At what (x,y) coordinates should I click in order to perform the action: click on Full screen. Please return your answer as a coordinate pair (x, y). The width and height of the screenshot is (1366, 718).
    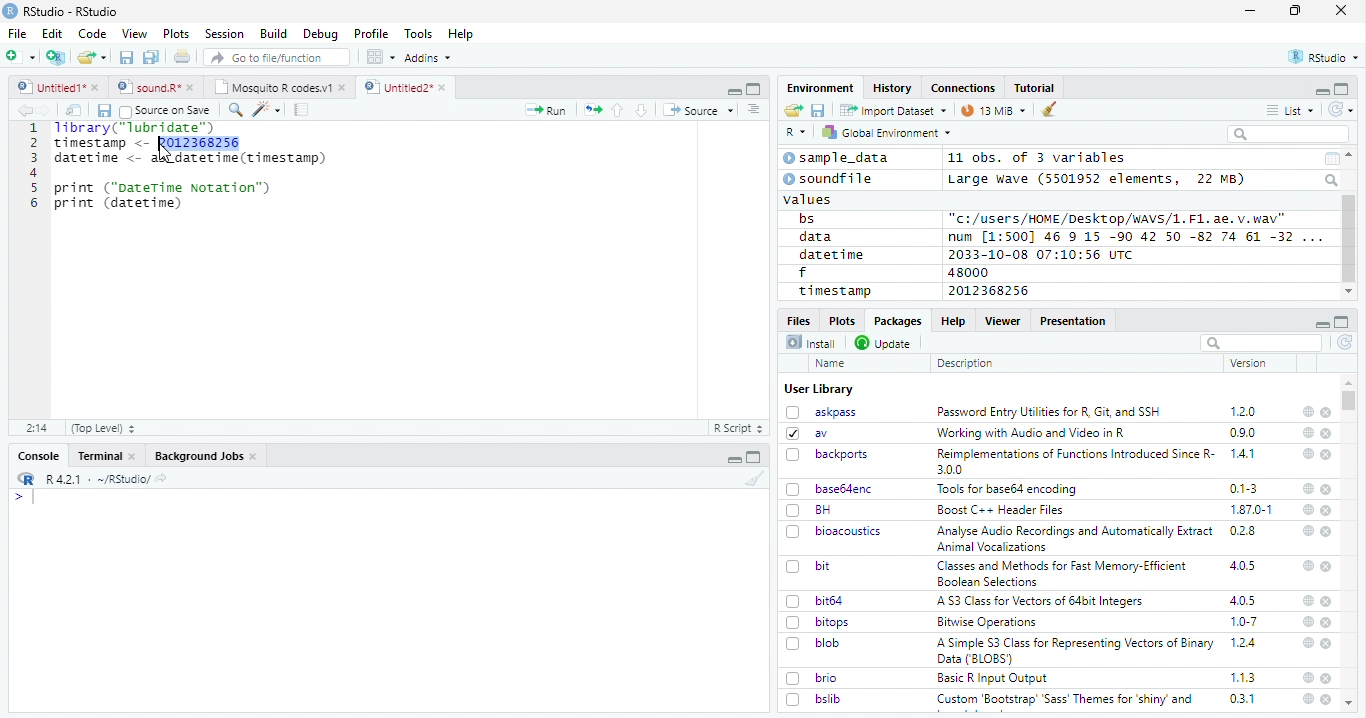
    Looking at the image, I should click on (754, 88).